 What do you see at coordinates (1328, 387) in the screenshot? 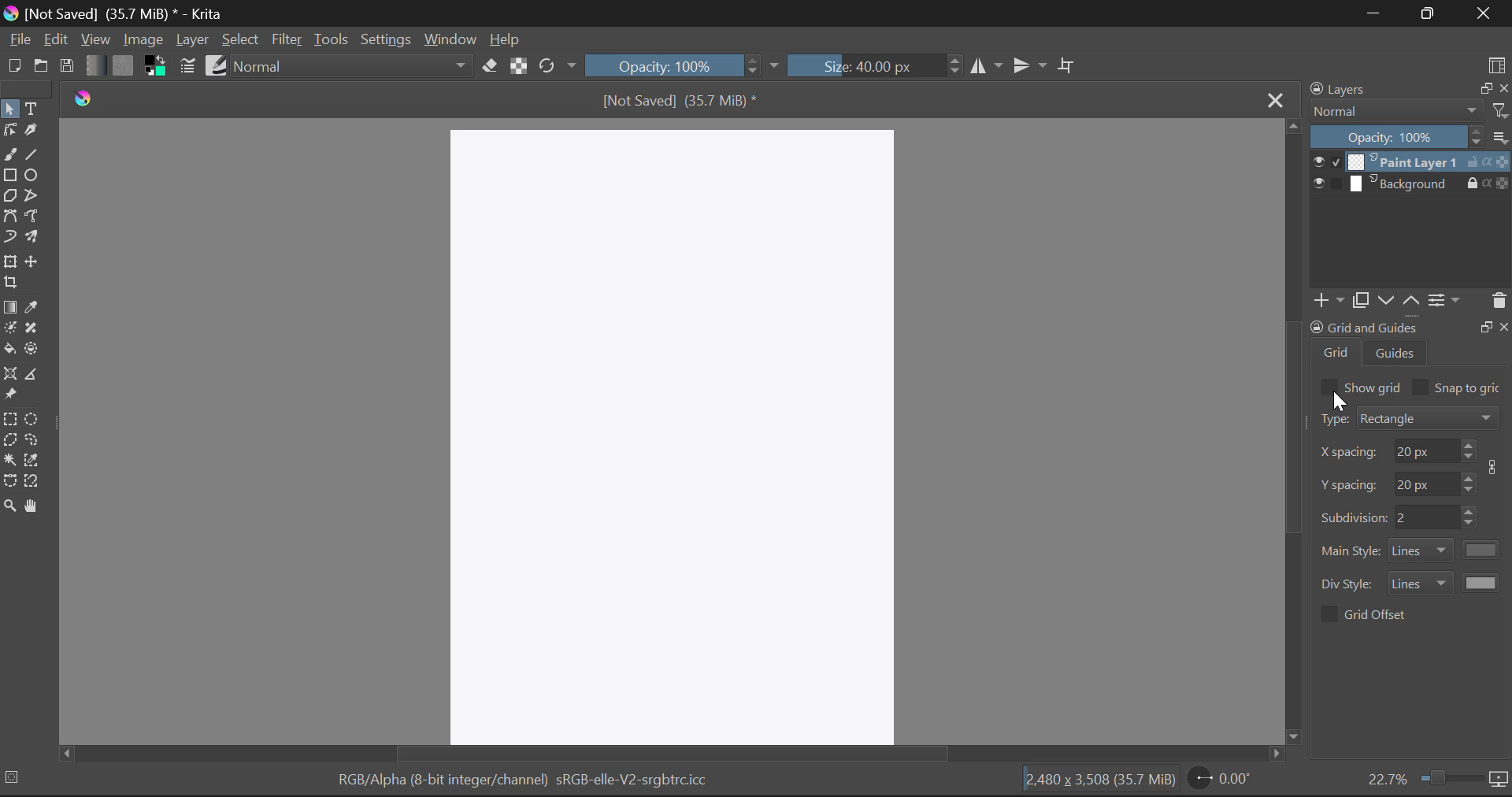
I see `checkbox` at bounding box center [1328, 387].